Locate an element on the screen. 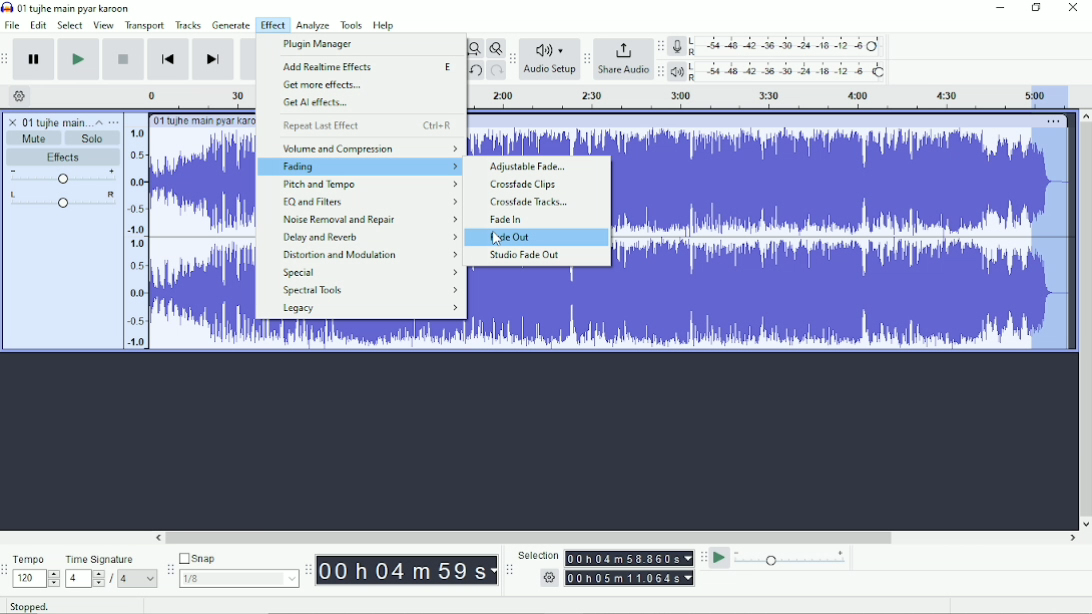  Audacity share audio toolbar is located at coordinates (588, 58).